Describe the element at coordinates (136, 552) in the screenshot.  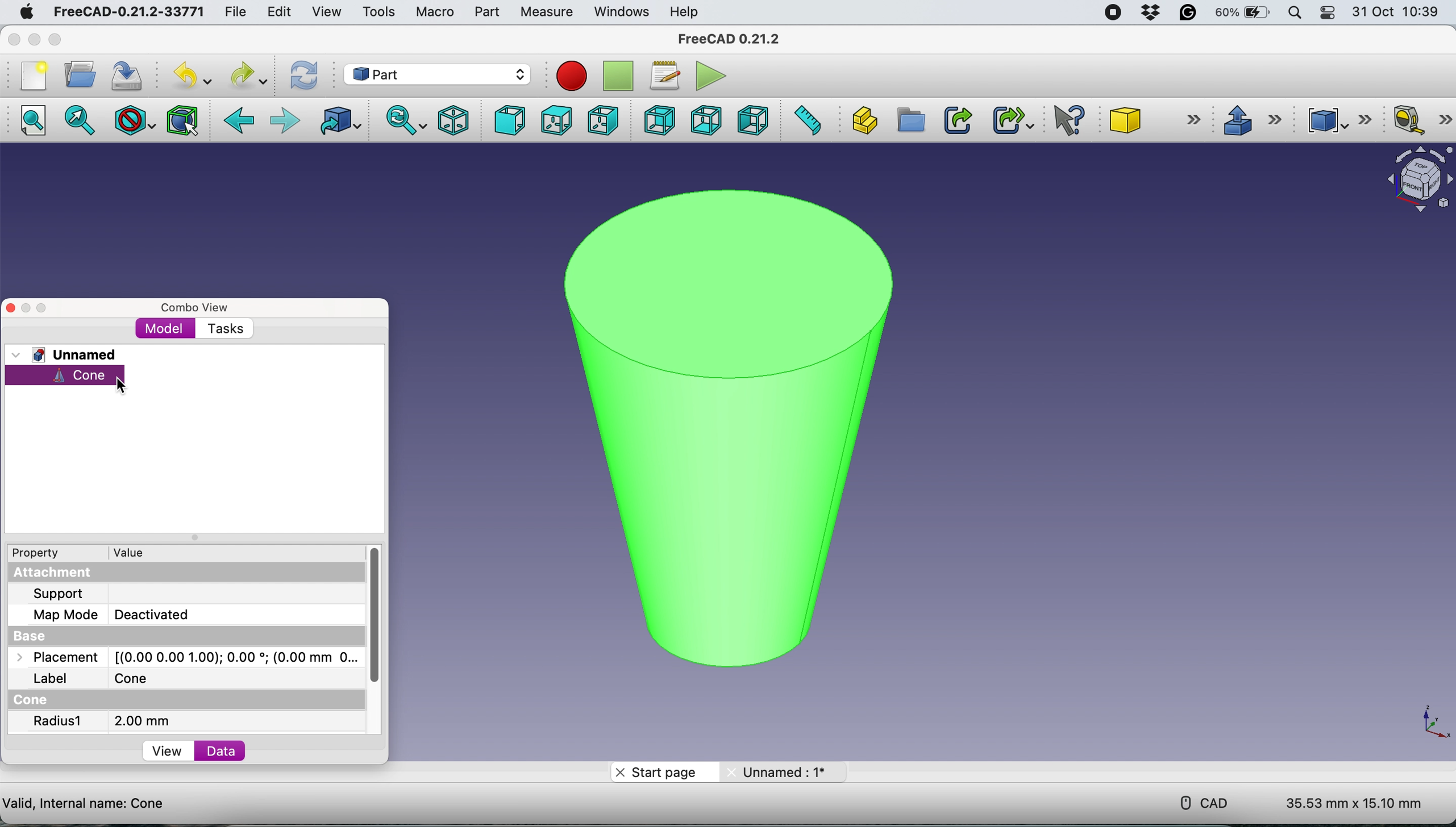
I see `value` at that location.